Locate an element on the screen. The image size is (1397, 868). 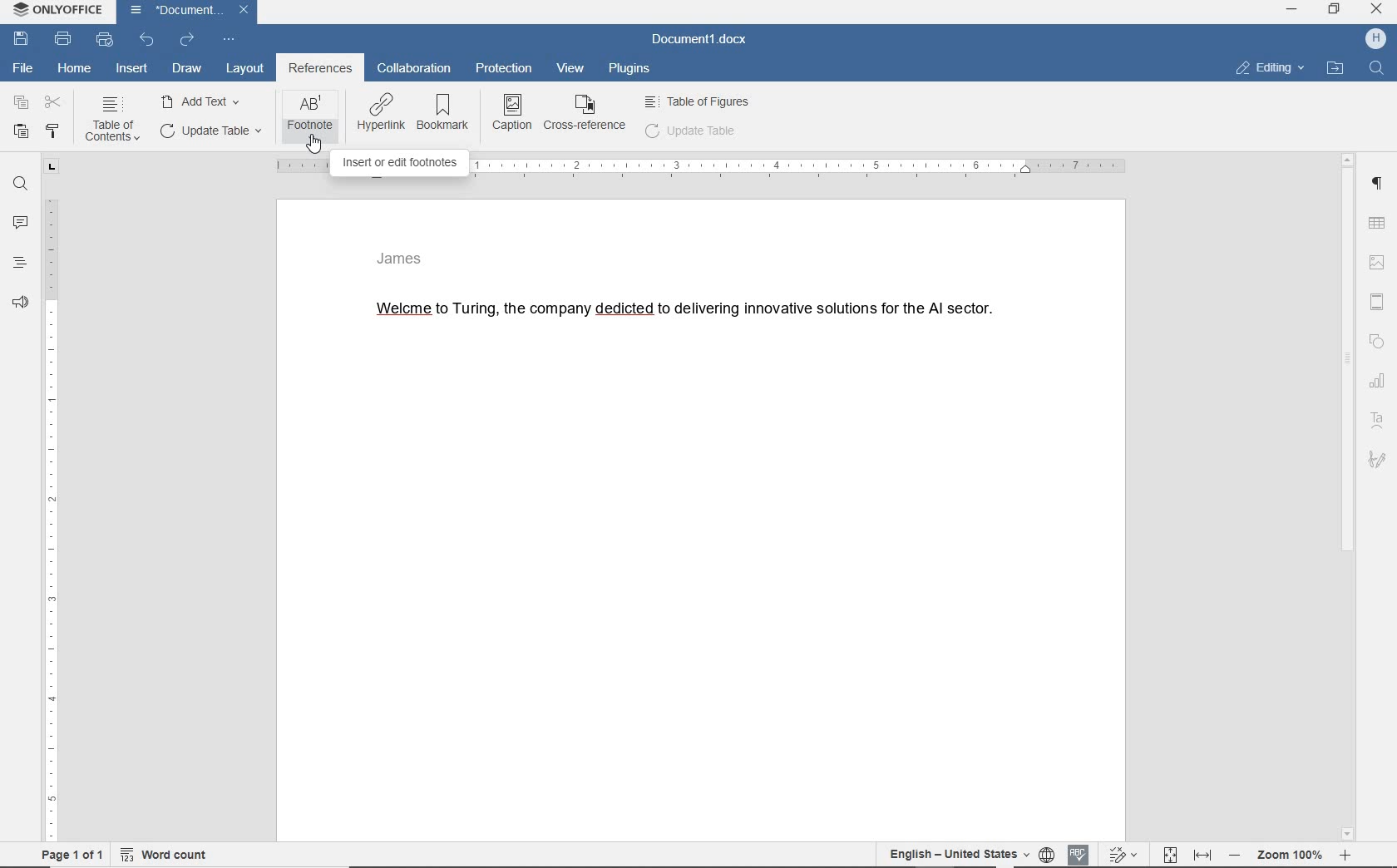
document name is located at coordinates (700, 40).